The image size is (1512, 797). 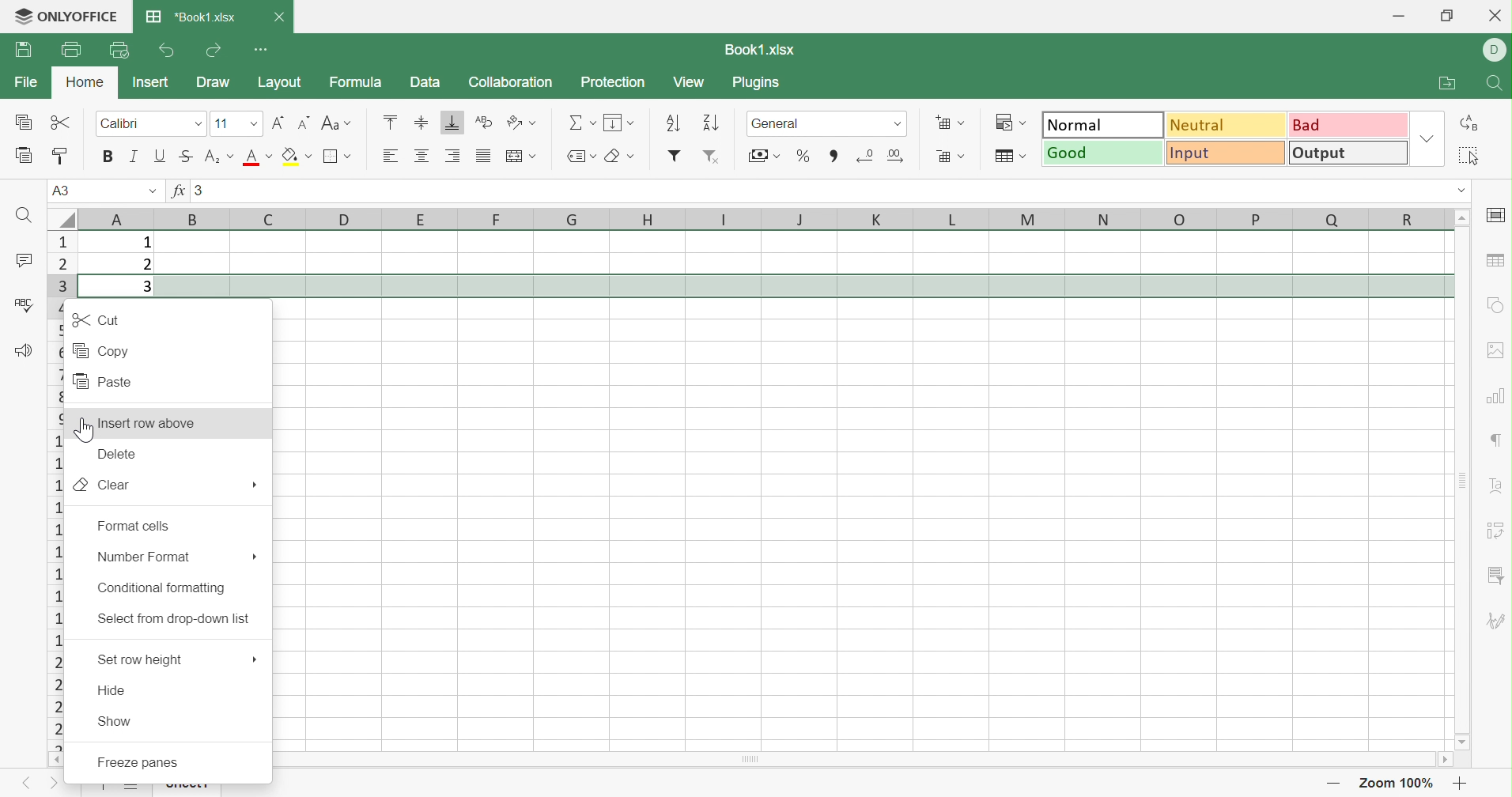 I want to click on Next, so click(x=52, y=784).